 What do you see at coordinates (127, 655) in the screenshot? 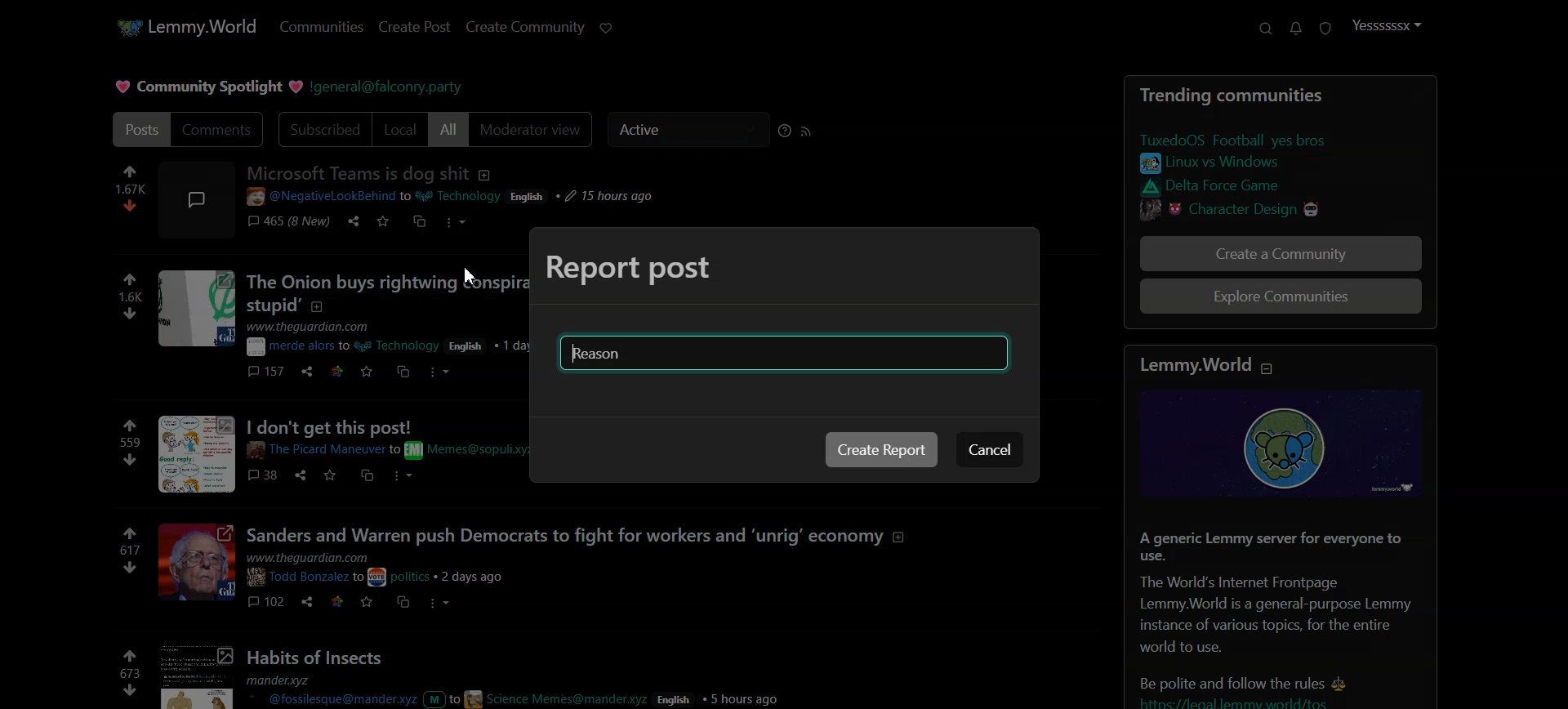
I see `like` at bounding box center [127, 655].